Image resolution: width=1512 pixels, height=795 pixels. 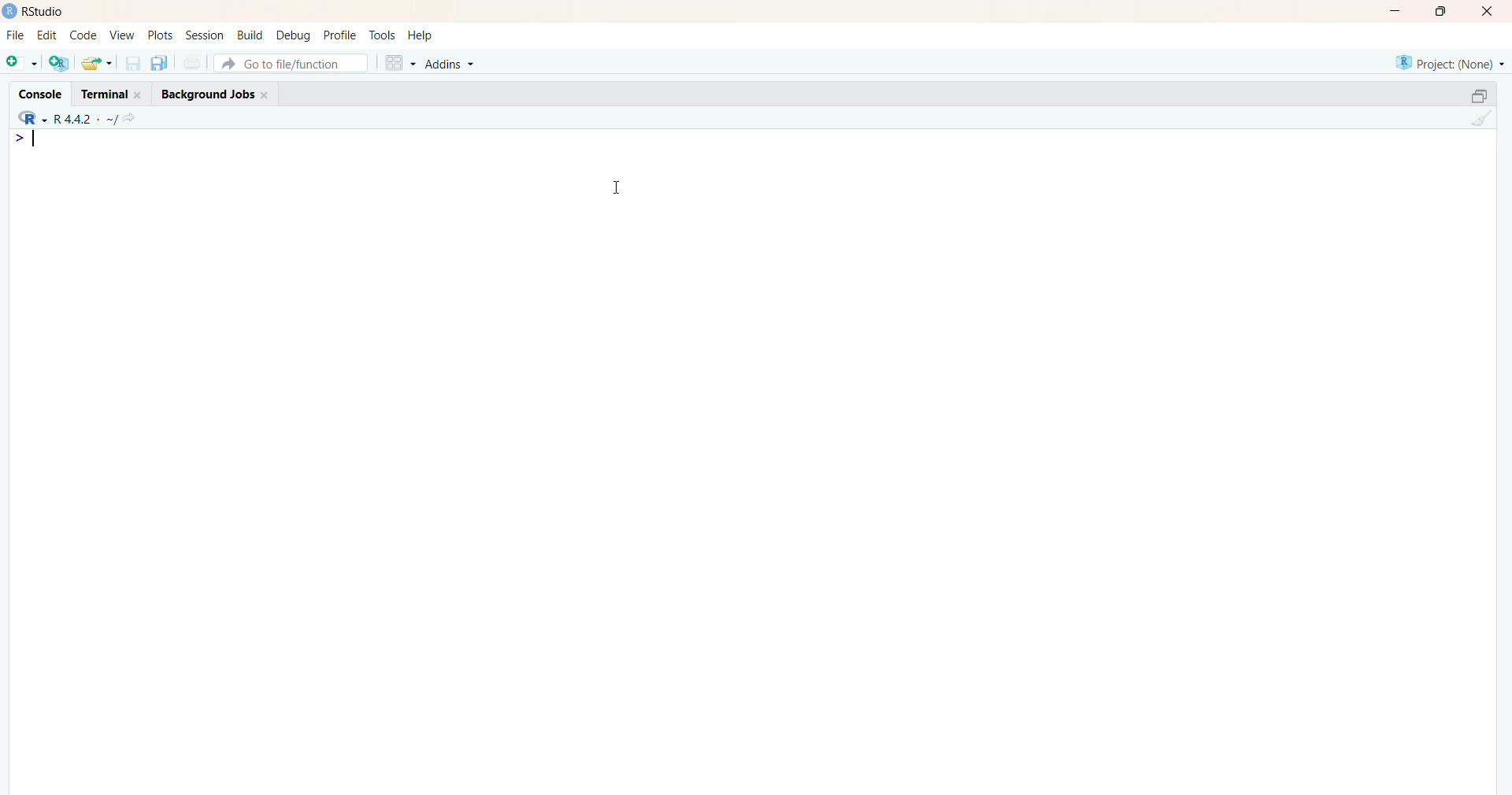 I want to click on close, so click(x=1491, y=10).